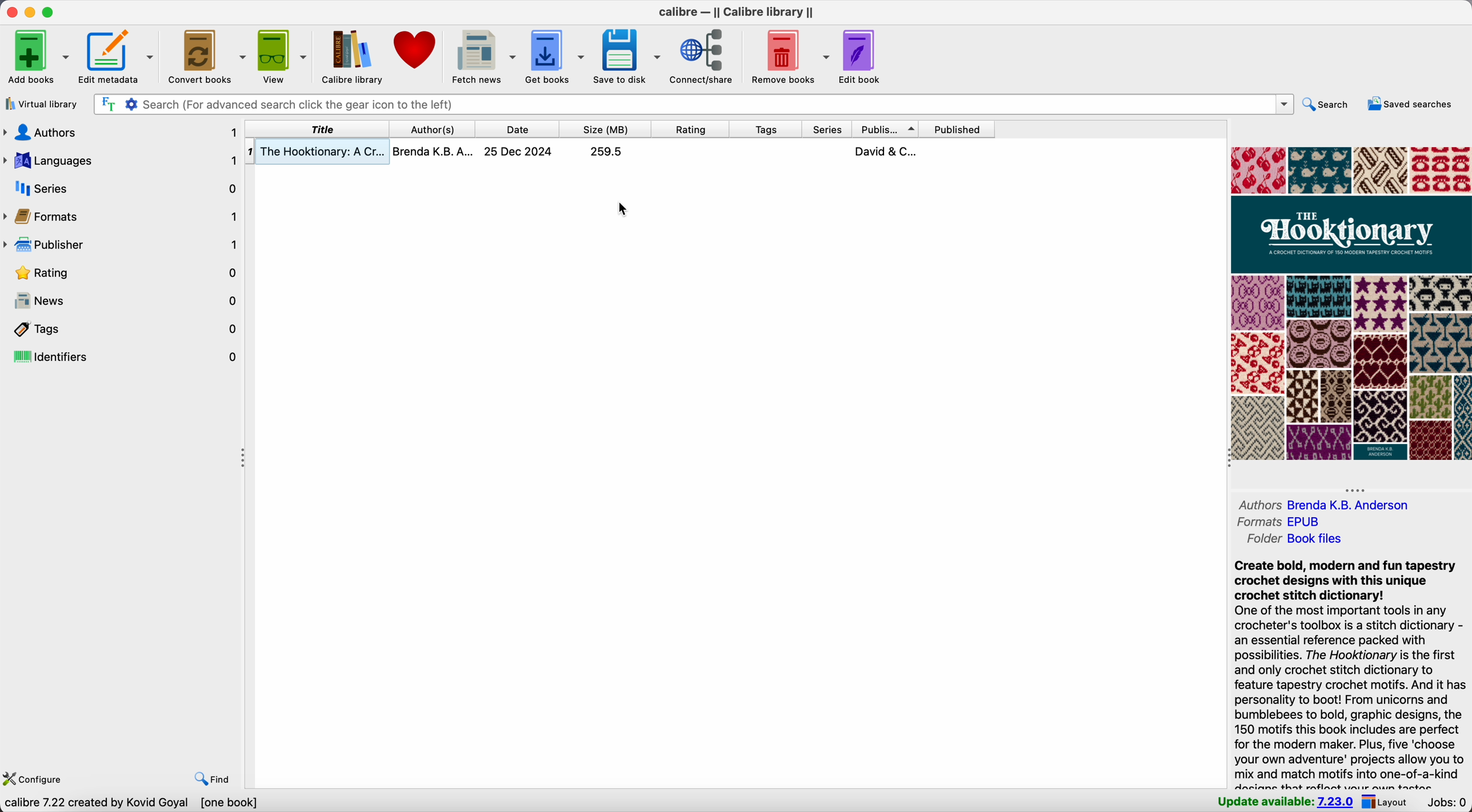 The height and width of the screenshot is (812, 1472). Describe the element at coordinates (29, 12) in the screenshot. I see `minimize` at that location.